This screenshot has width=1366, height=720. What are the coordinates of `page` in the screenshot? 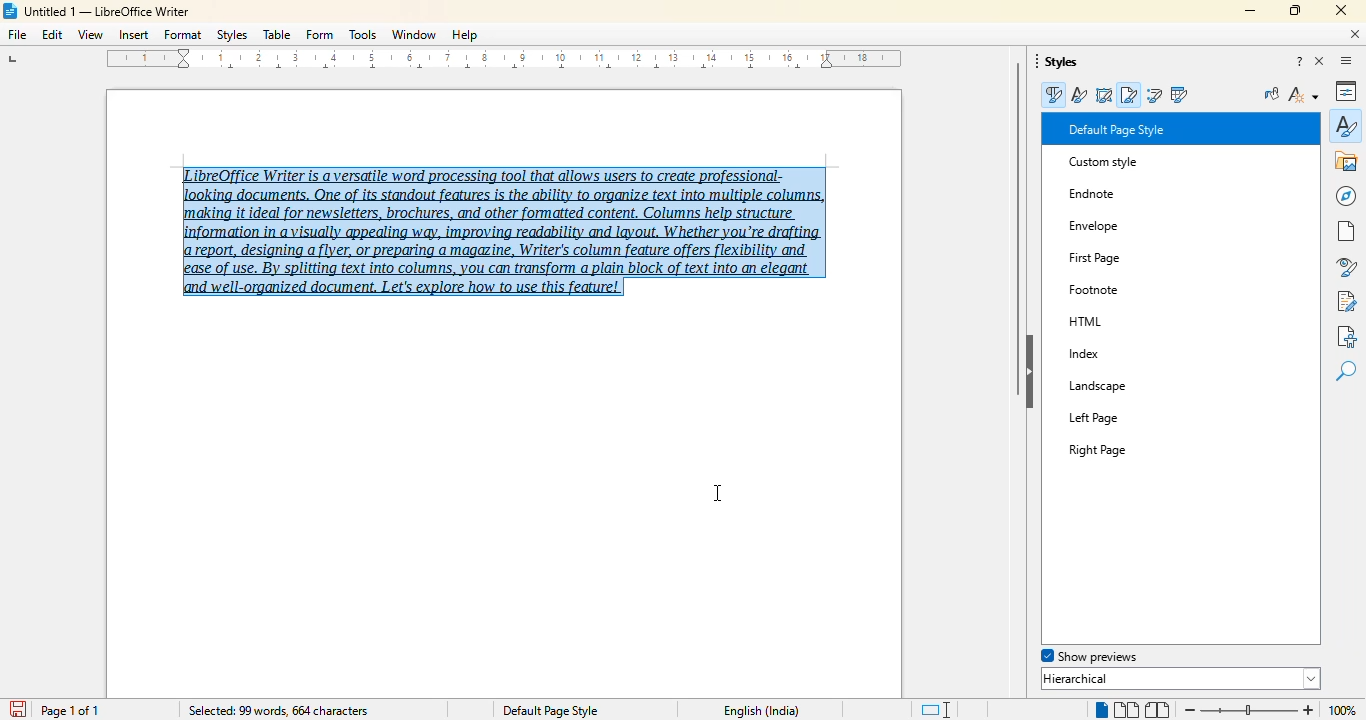 It's located at (1342, 229).